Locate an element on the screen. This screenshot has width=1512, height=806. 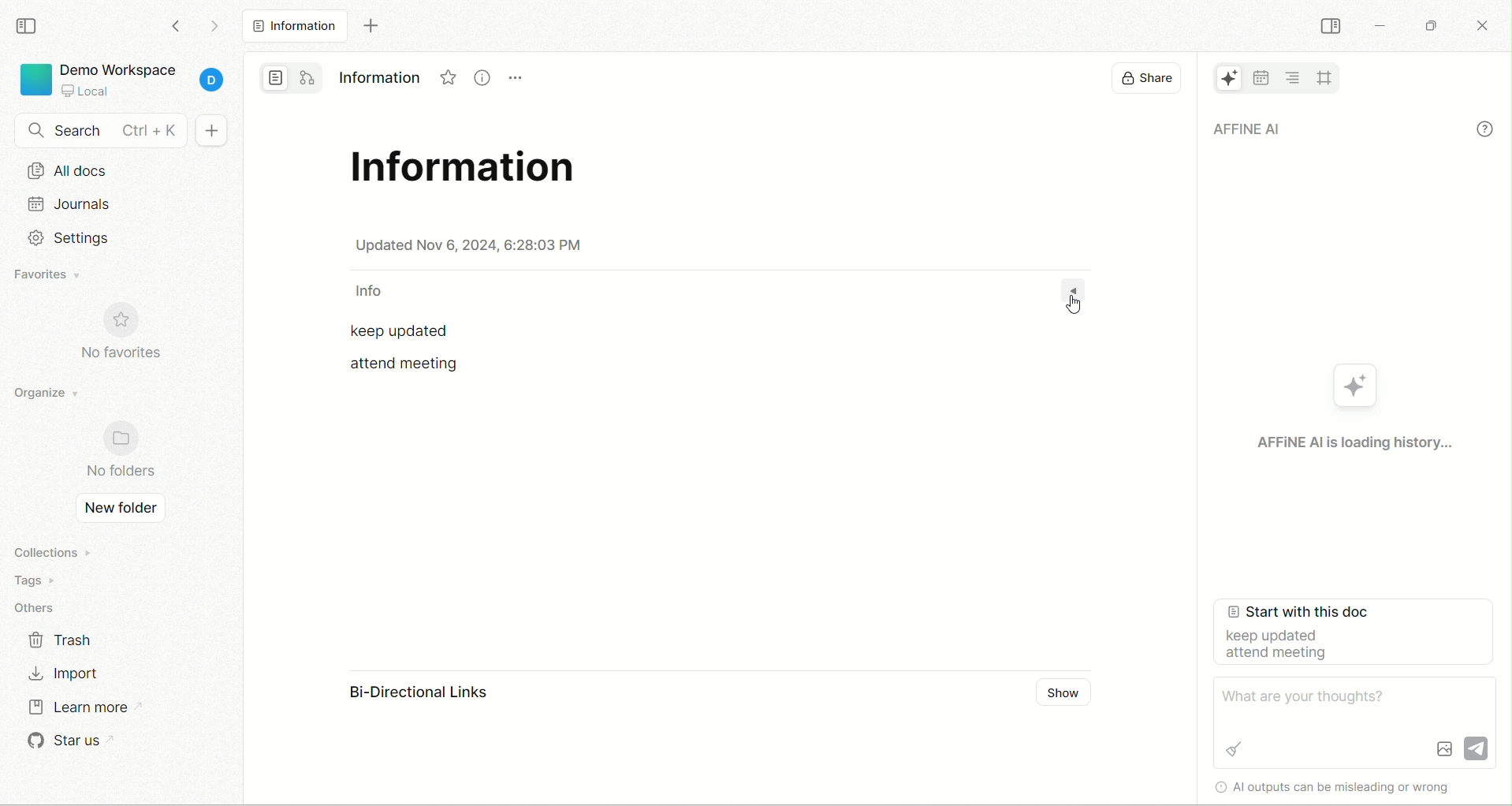
no folders is located at coordinates (119, 453).